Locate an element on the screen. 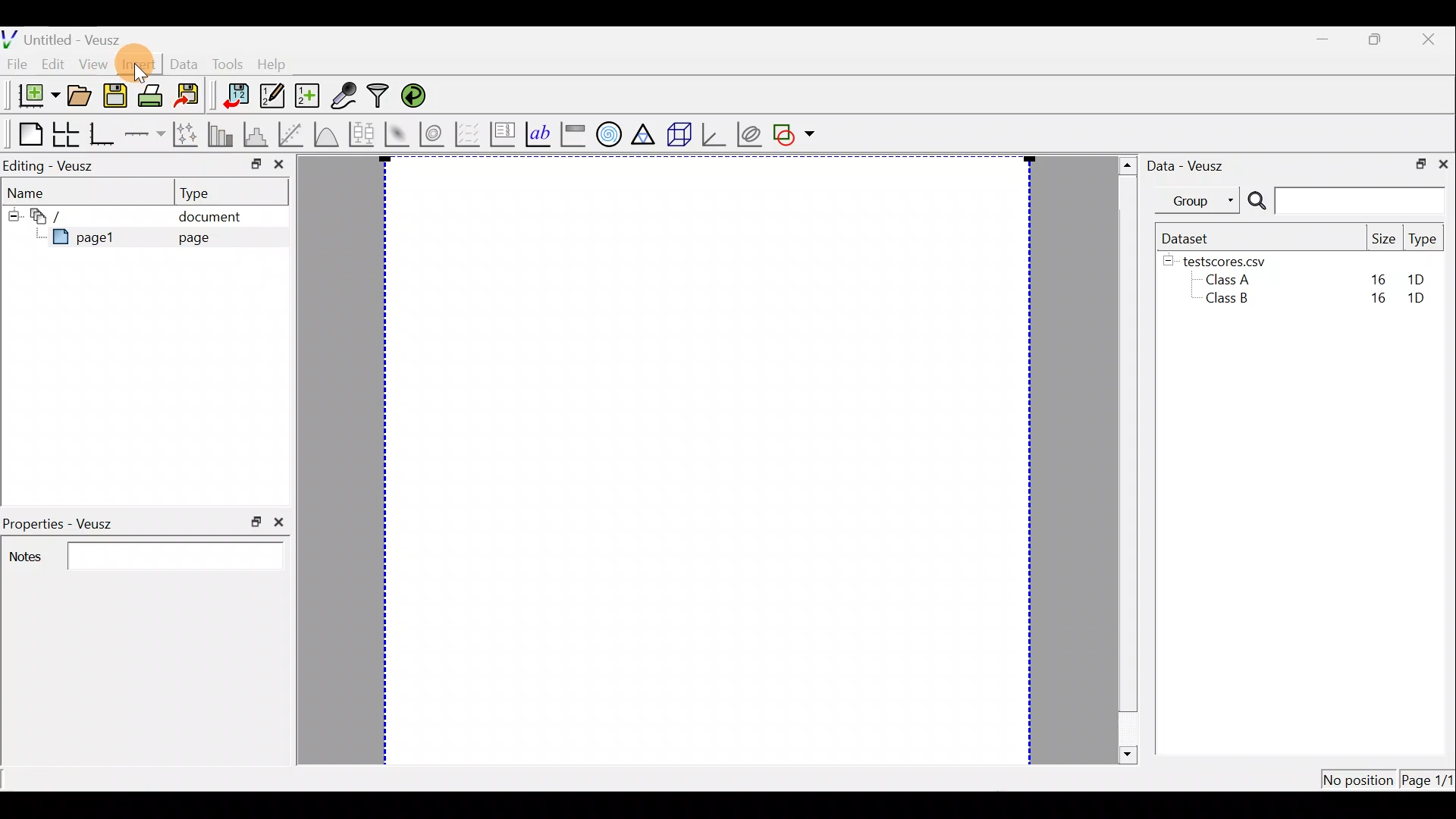 The image size is (1456, 819). Plot a function is located at coordinates (326, 133).